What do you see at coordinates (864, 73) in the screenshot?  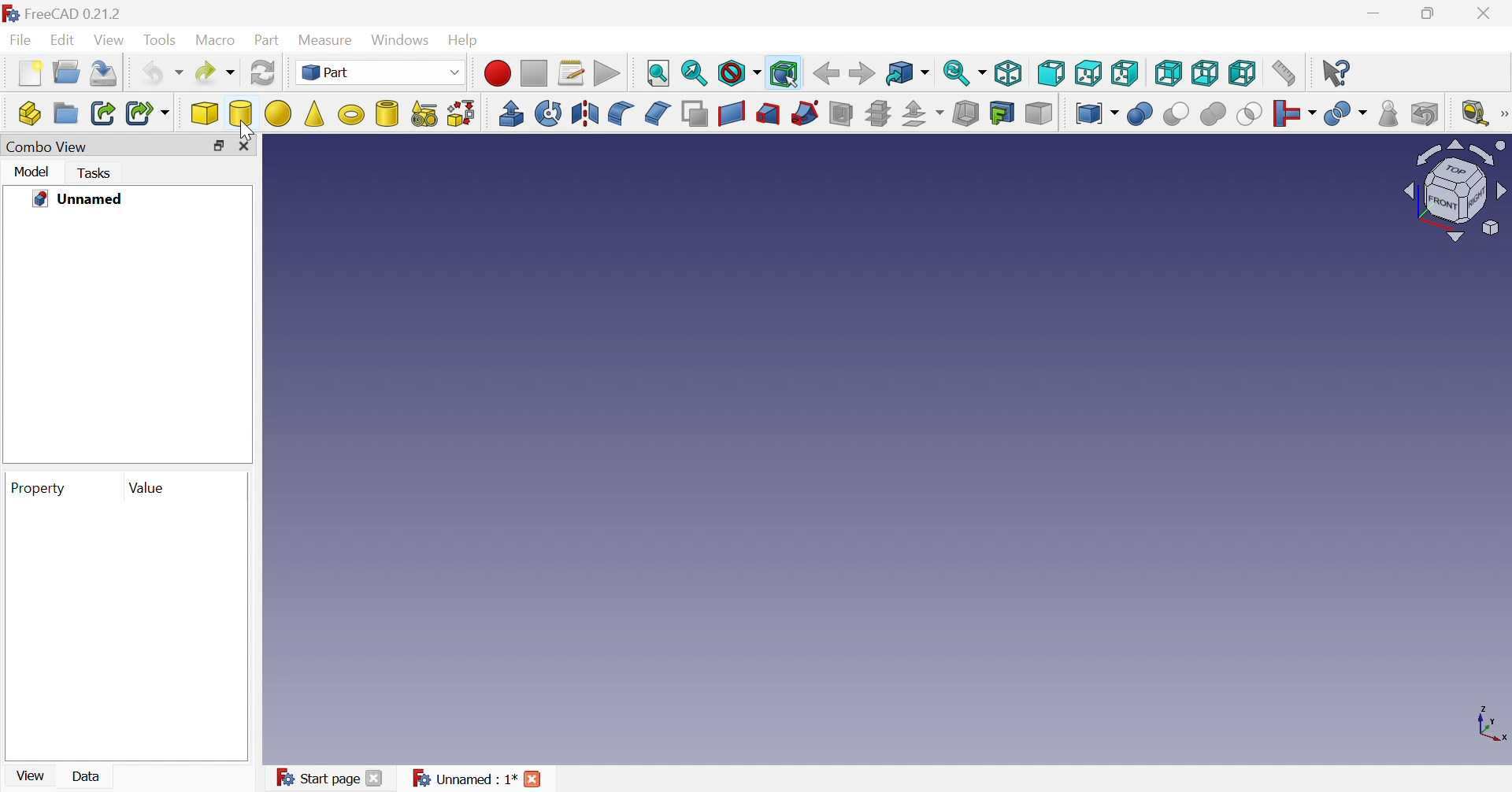 I see `Forward` at bounding box center [864, 73].